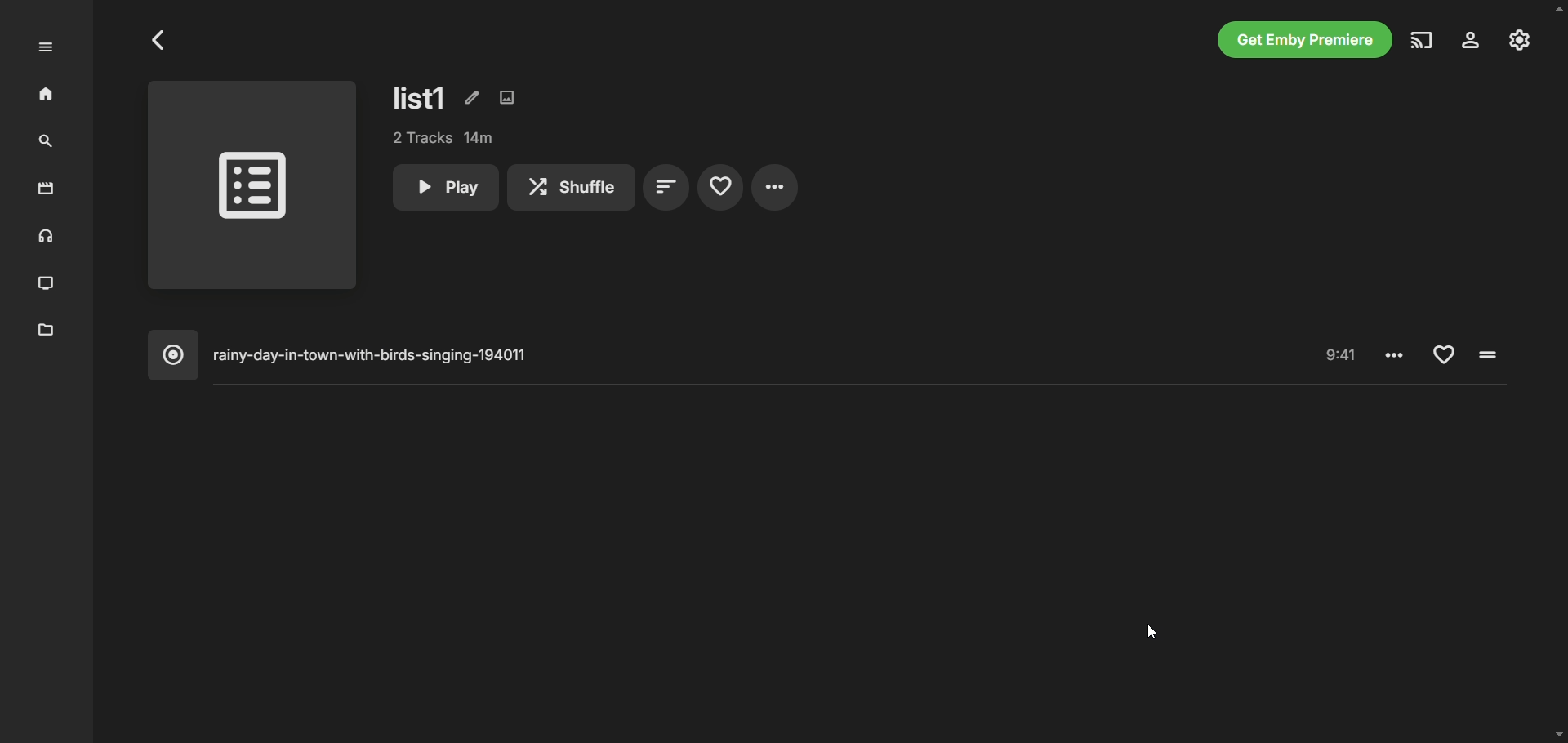 The image size is (1568, 743). Describe the element at coordinates (47, 284) in the screenshot. I see `TV shows` at that location.